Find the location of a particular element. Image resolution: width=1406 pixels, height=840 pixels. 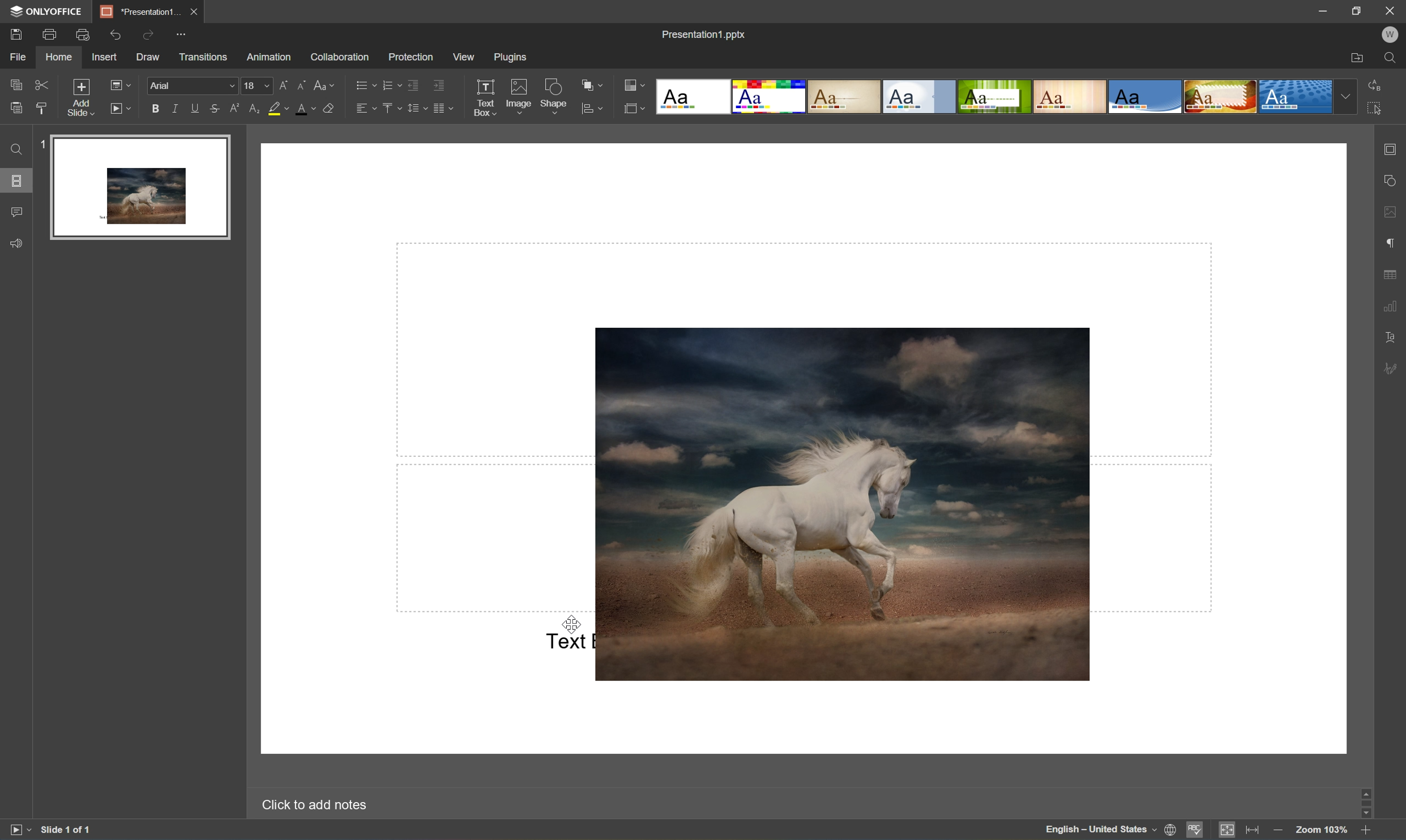

Undo is located at coordinates (117, 36).